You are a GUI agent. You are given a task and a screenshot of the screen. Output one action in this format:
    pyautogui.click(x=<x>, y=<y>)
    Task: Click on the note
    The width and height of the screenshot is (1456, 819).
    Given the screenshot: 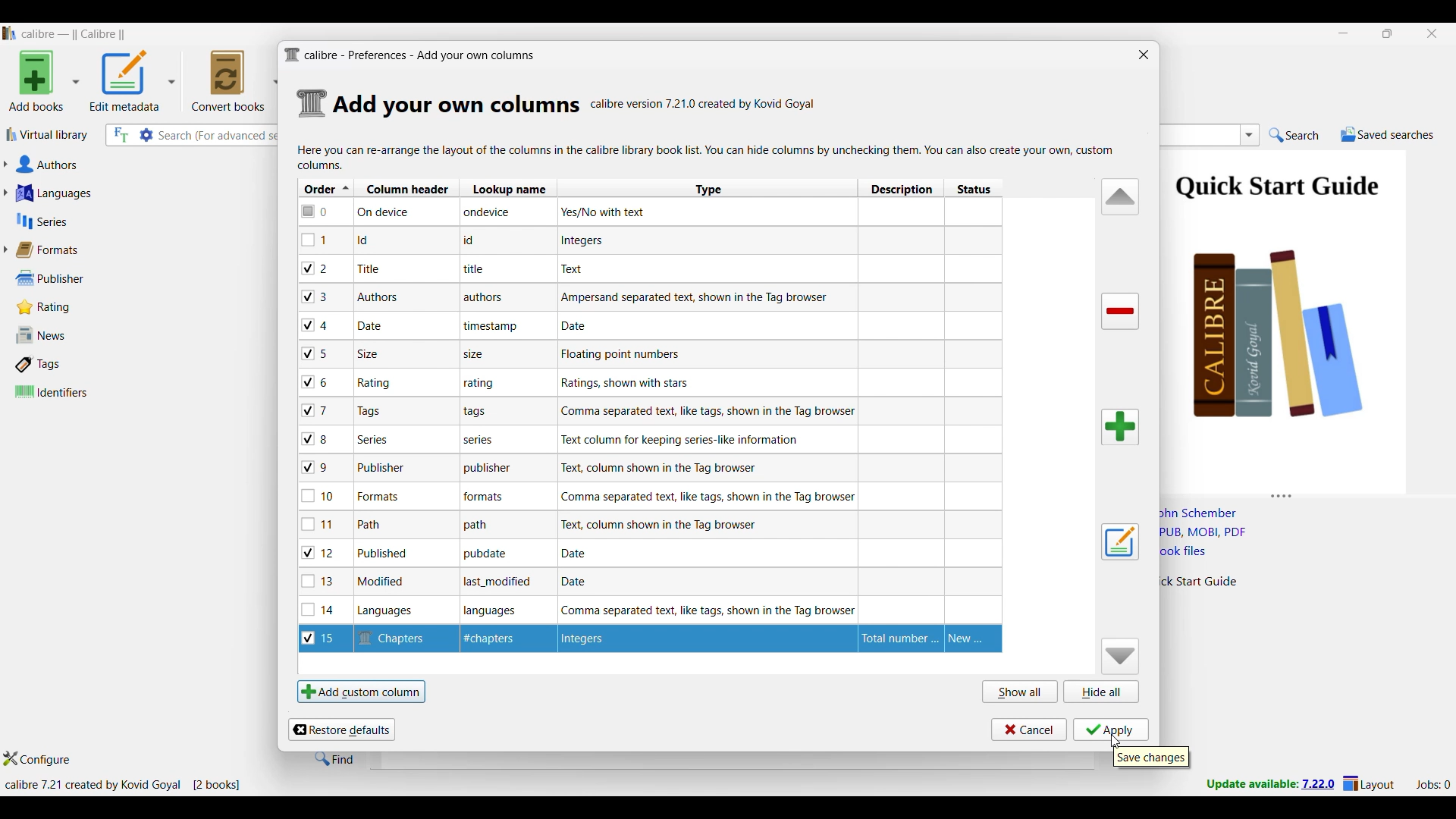 What is the action you would take?
    pyautogui.click(x=481, y=526)
    